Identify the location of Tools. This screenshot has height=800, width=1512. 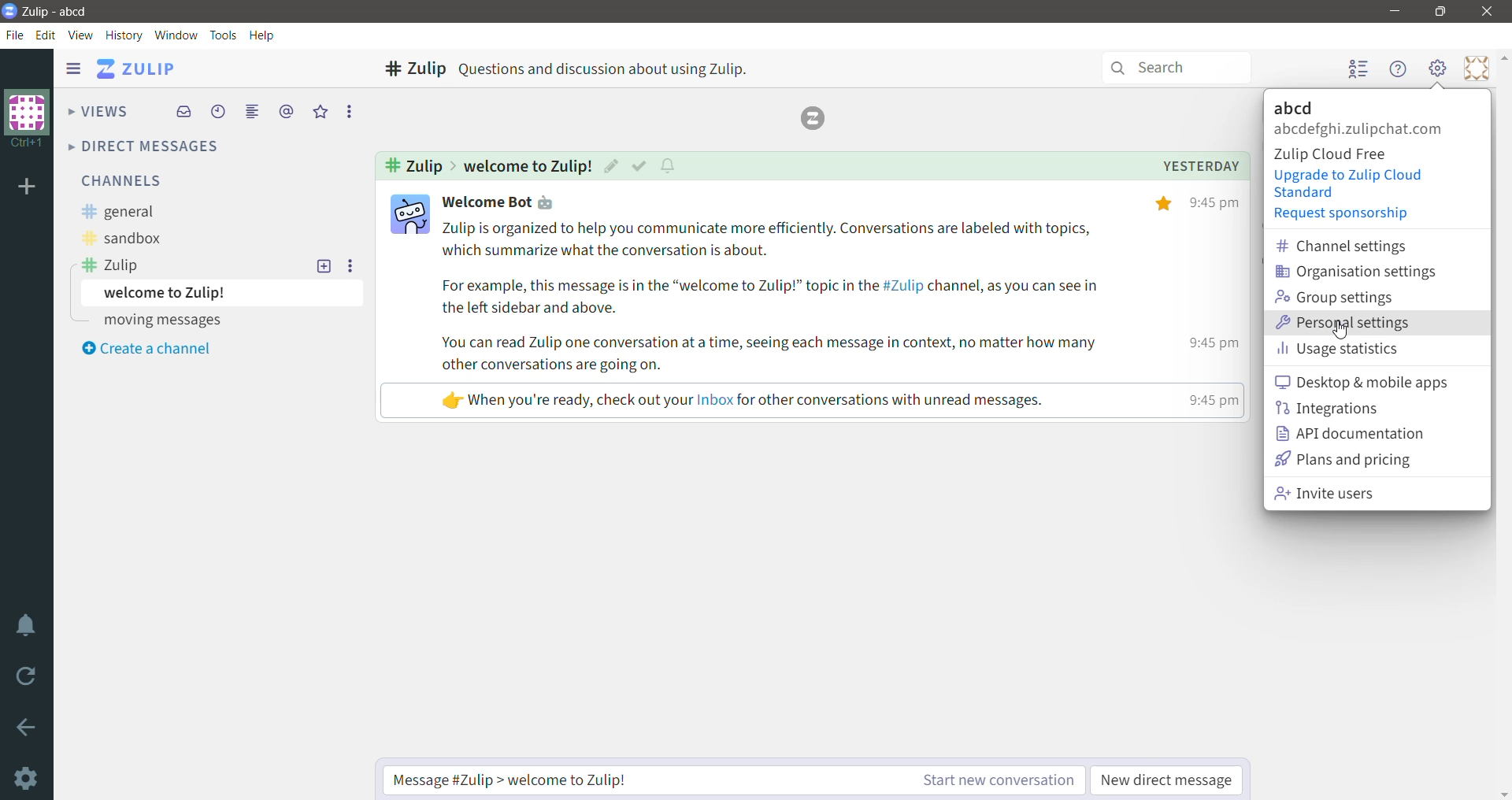
(223, 35).